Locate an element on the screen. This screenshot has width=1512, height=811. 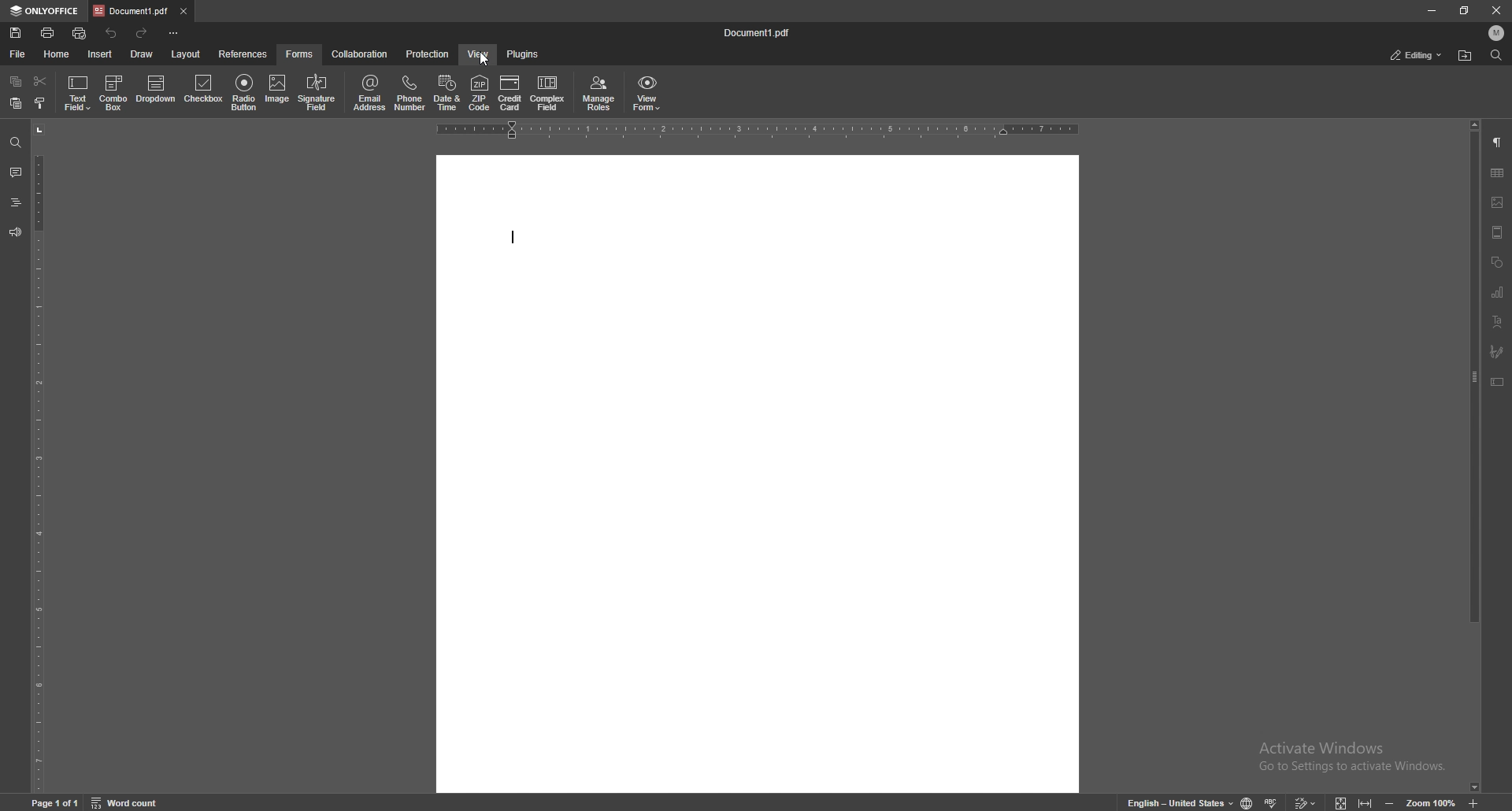
dropdown is located at coordinates (157, 89).